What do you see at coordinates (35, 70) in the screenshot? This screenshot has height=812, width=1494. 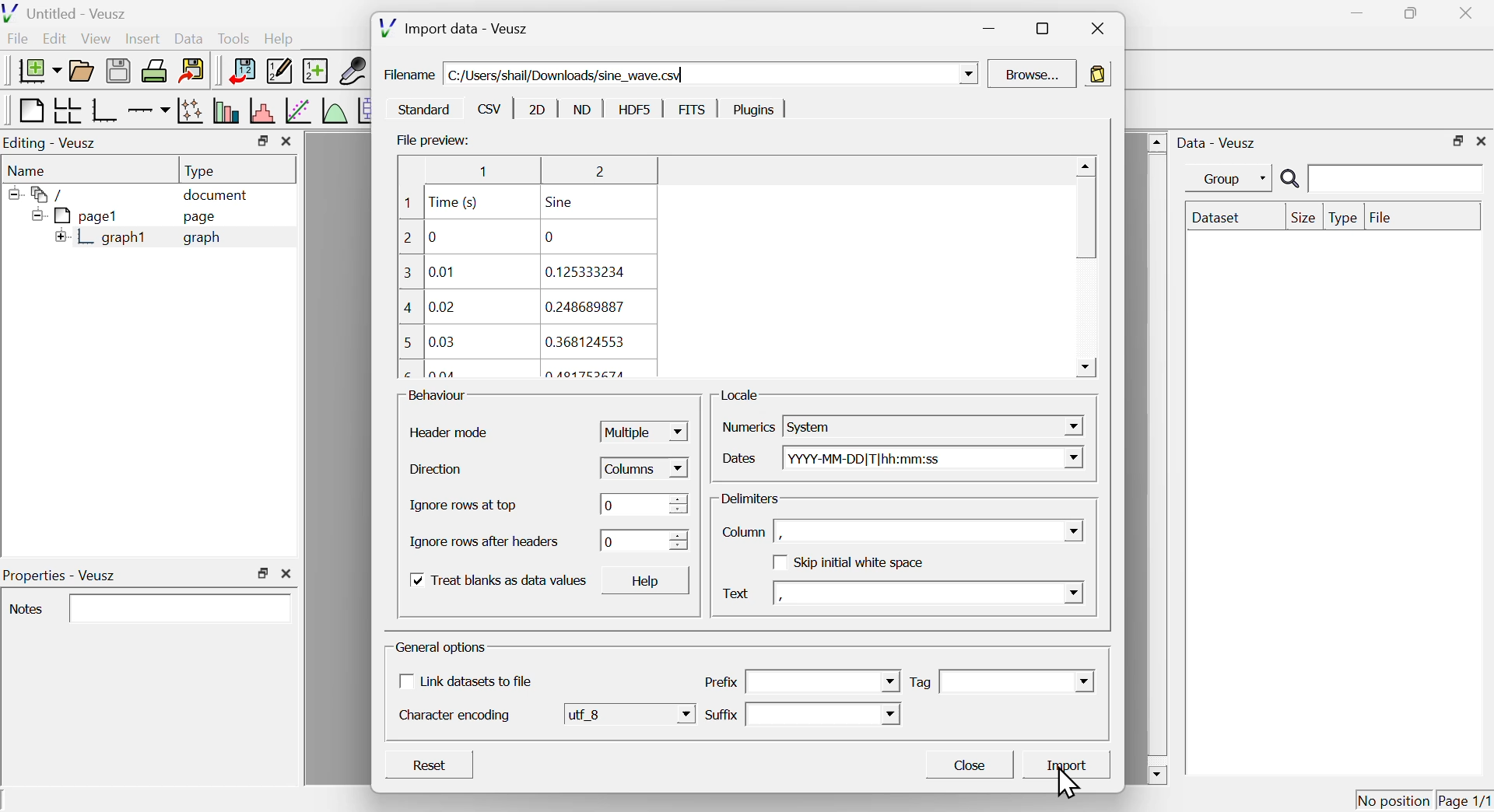 I see `new document` at bounding box center [35, 70].